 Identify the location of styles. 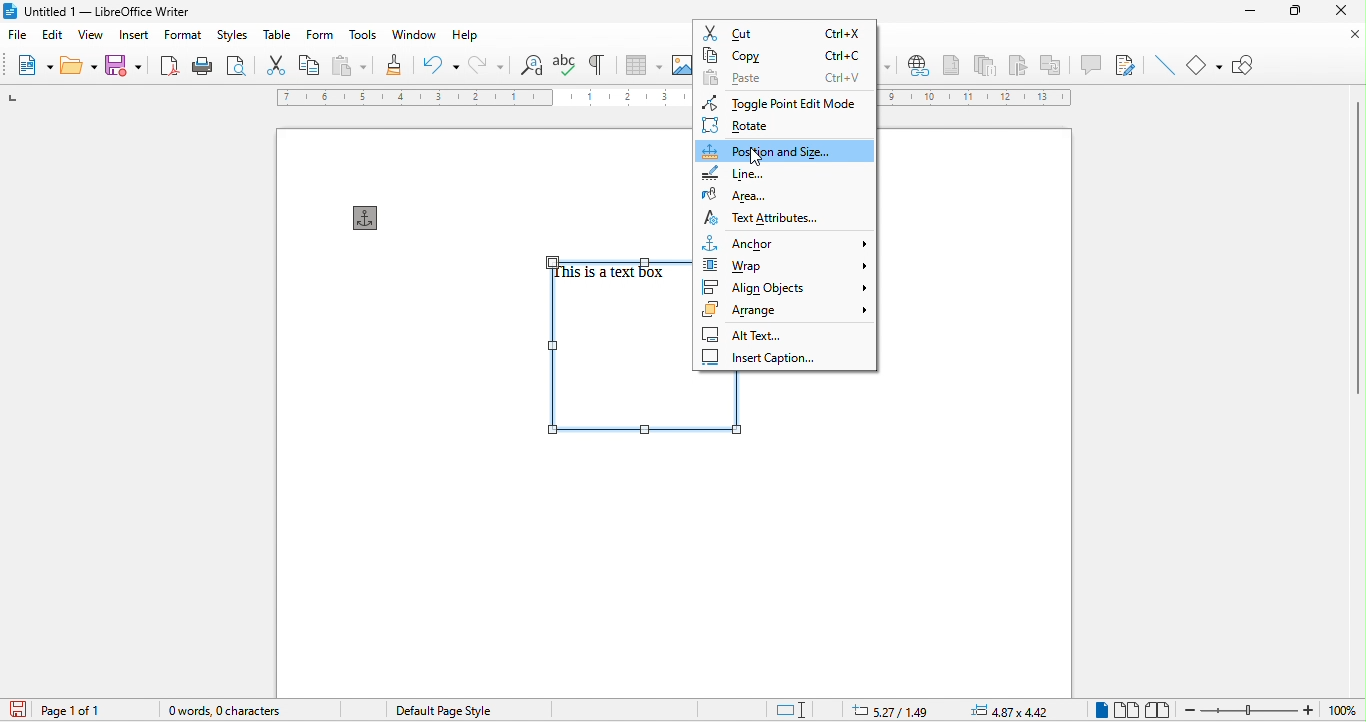
(233, 36).